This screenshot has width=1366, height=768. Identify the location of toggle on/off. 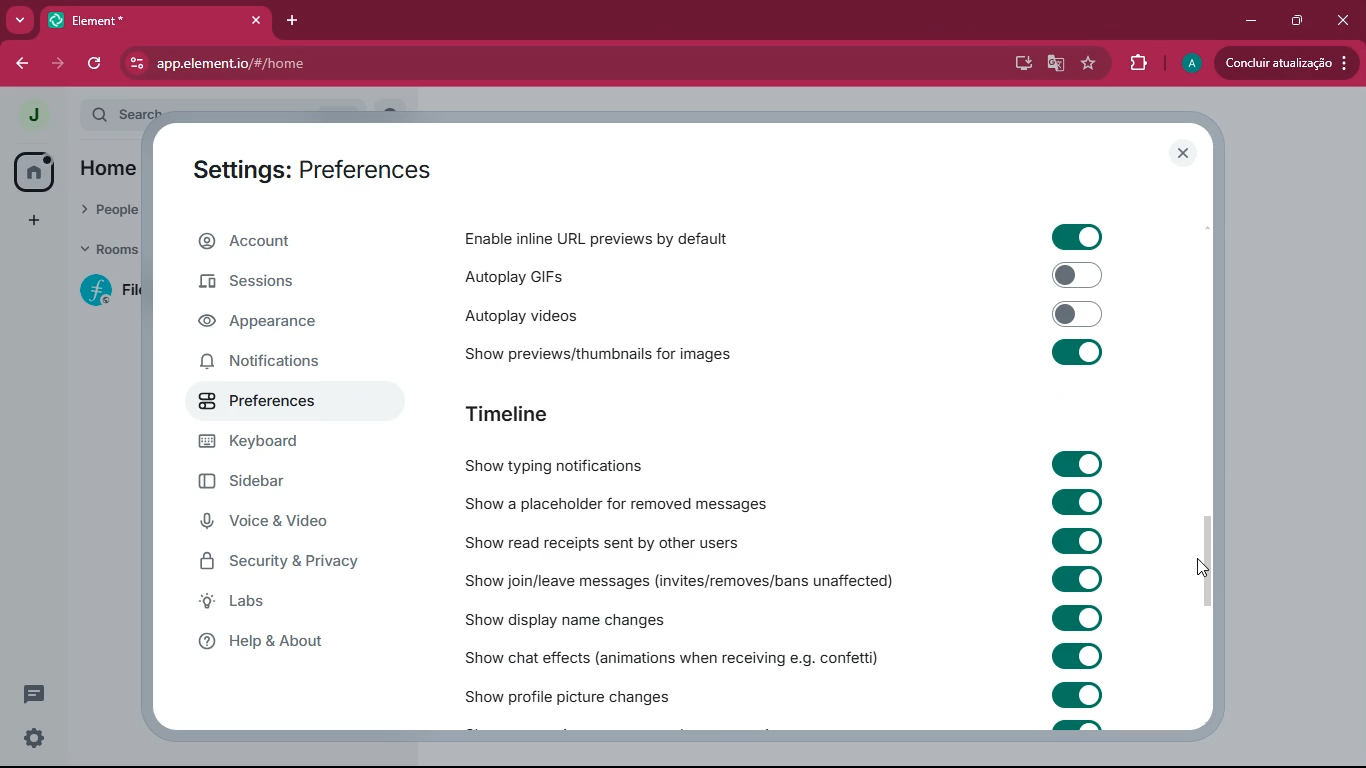
(1078, 275).